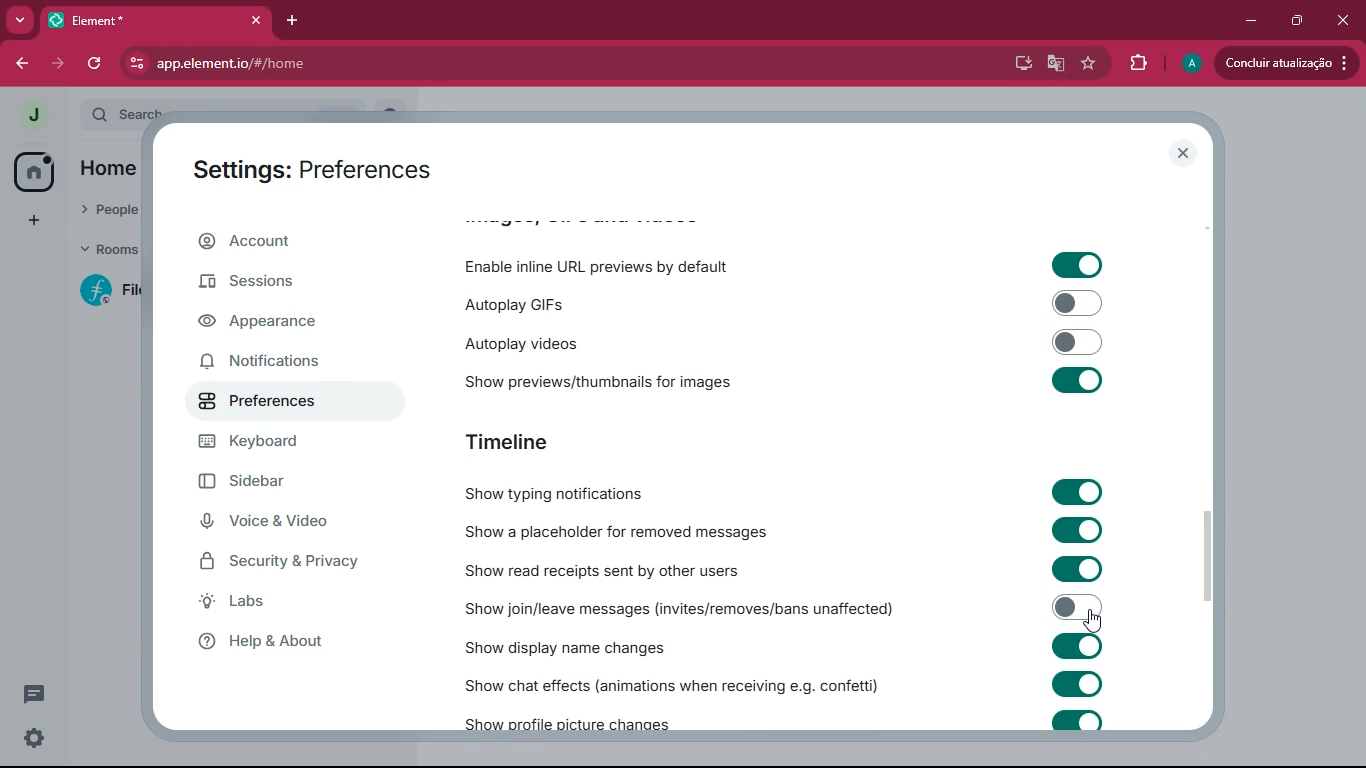 Image resolution: width=1366 pixels, height=768 pixels. I want to click on preferences, so click(270, 400).